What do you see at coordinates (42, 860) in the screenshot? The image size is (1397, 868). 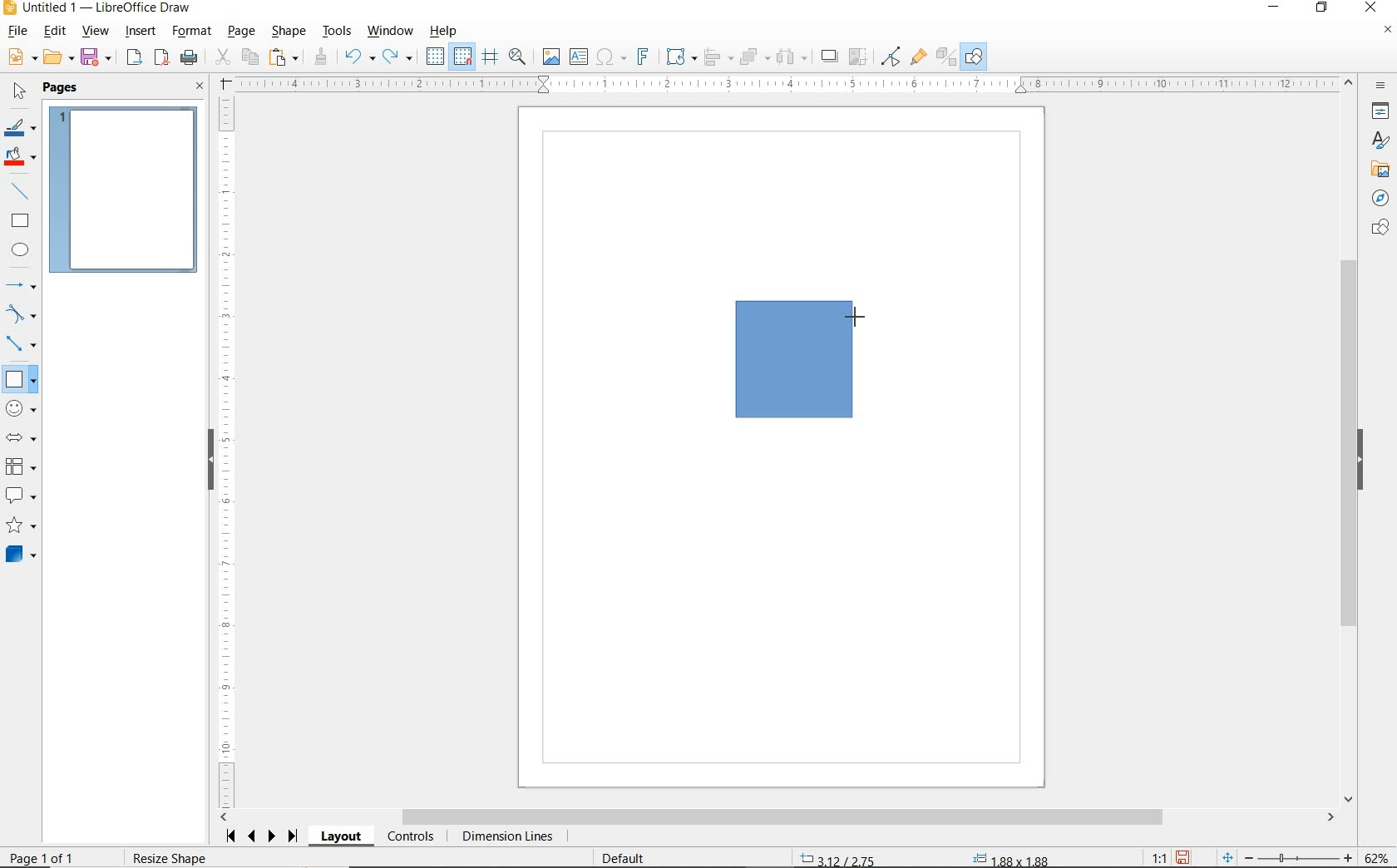 I see `PAGE 1 OF 1` at bounding box center [42, 860].